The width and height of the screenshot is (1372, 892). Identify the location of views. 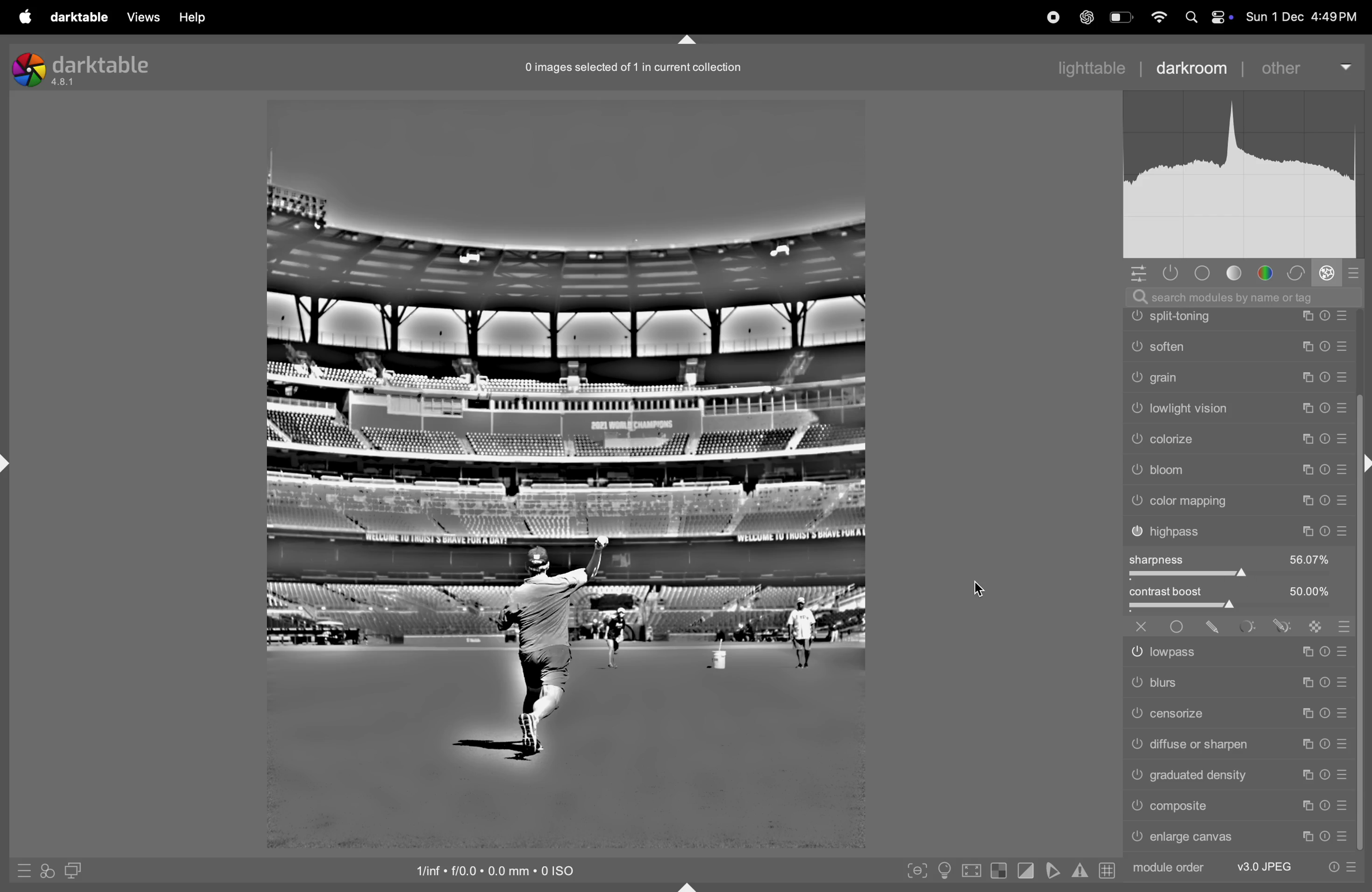
(142, 17).